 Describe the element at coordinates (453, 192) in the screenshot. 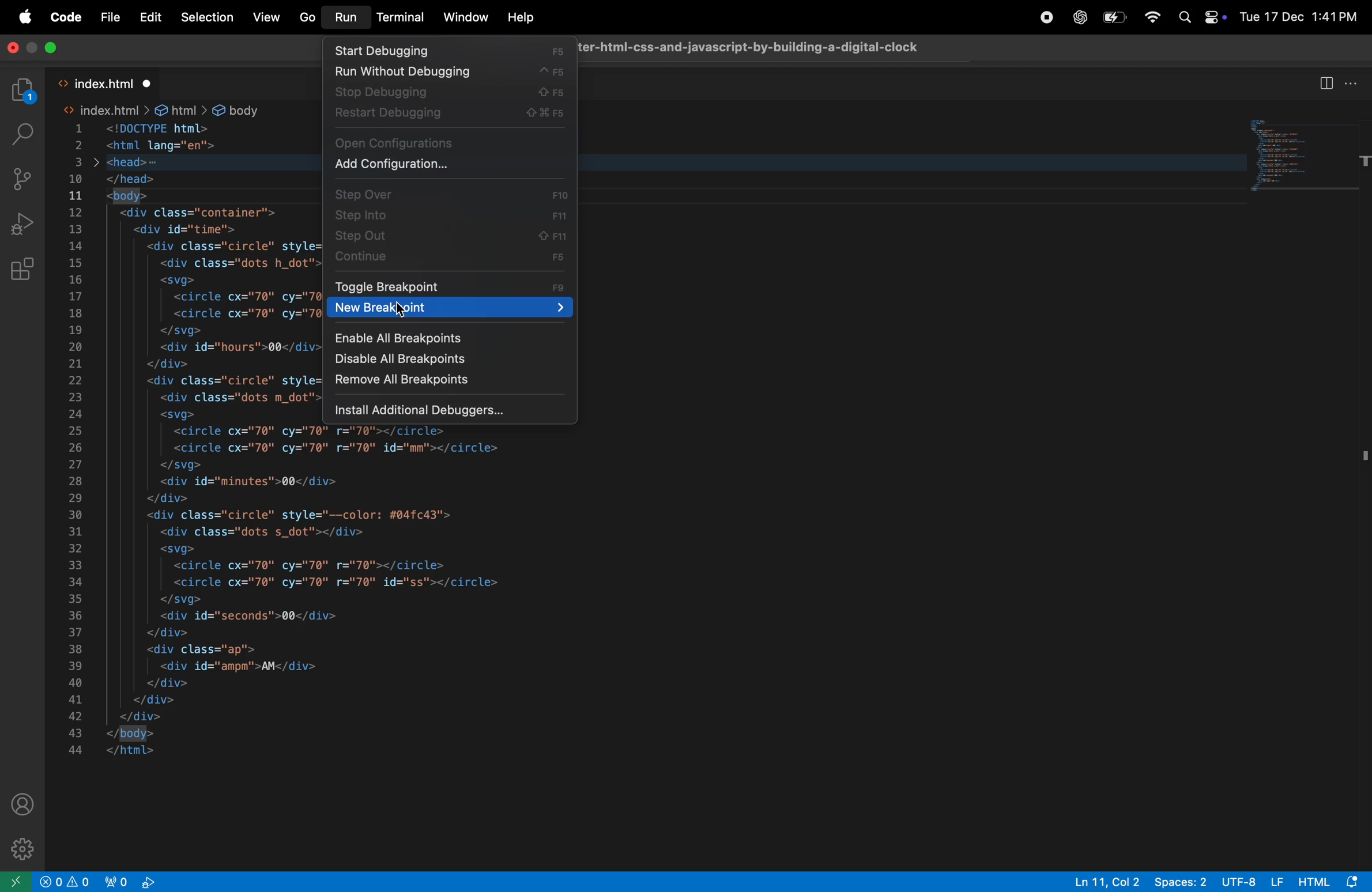

I see `step over` at that location.